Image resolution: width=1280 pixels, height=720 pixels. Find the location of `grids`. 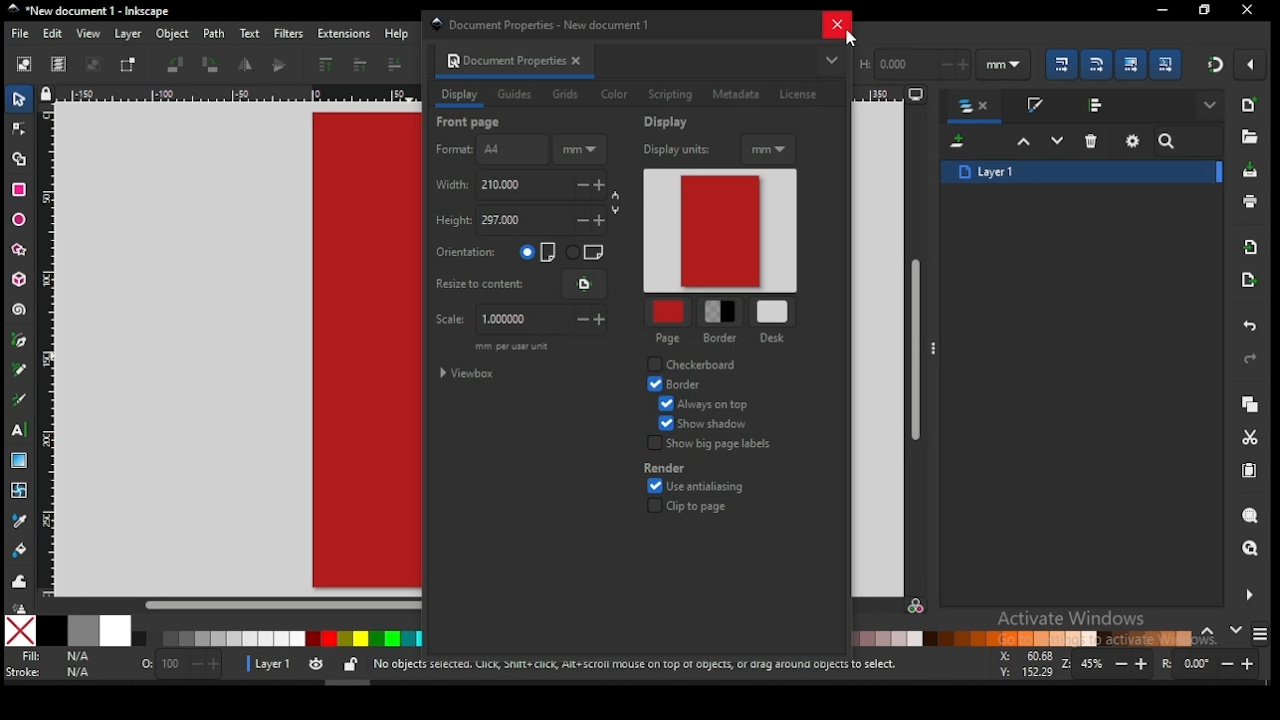

grids is located at coordinates (565, 94).